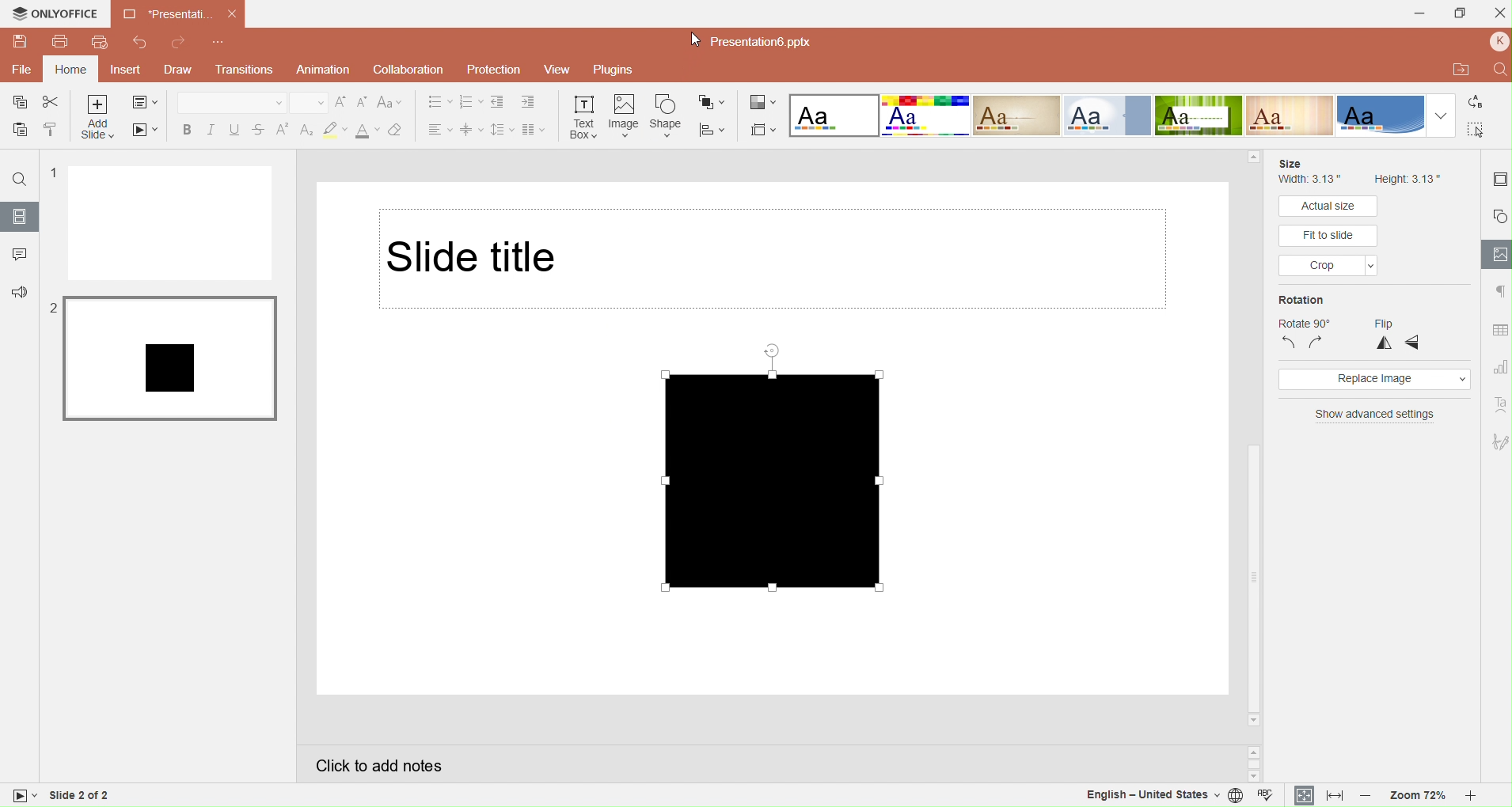 Image resolution: width=1512 pixels, height=807 pixels. Describe the element at coordinates (25, 797) in the screenshot. I see `slide view mode` at that location.